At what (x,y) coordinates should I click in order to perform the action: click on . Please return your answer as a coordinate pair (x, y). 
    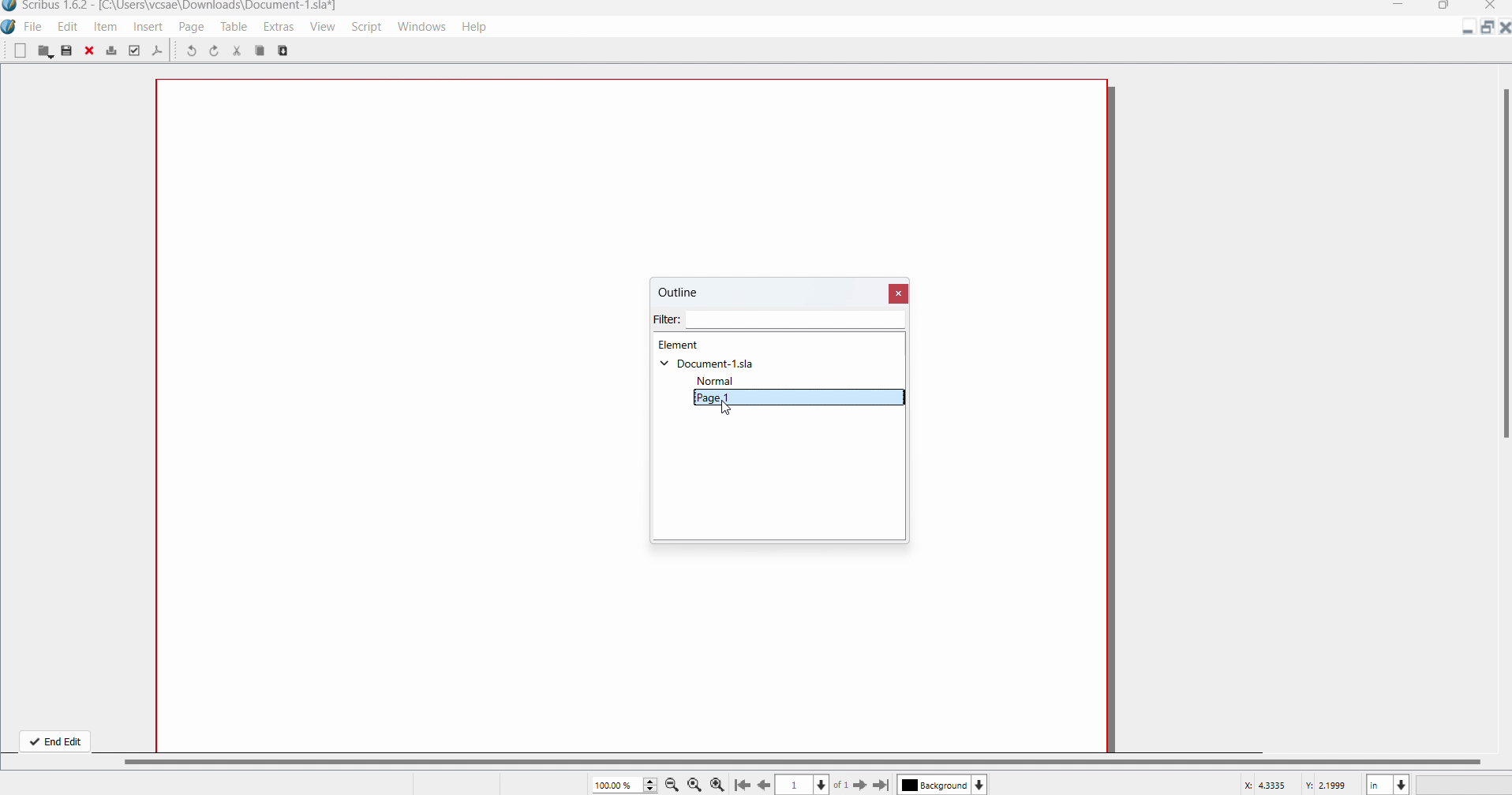
    Looking at the image, I should click on (323, 28).